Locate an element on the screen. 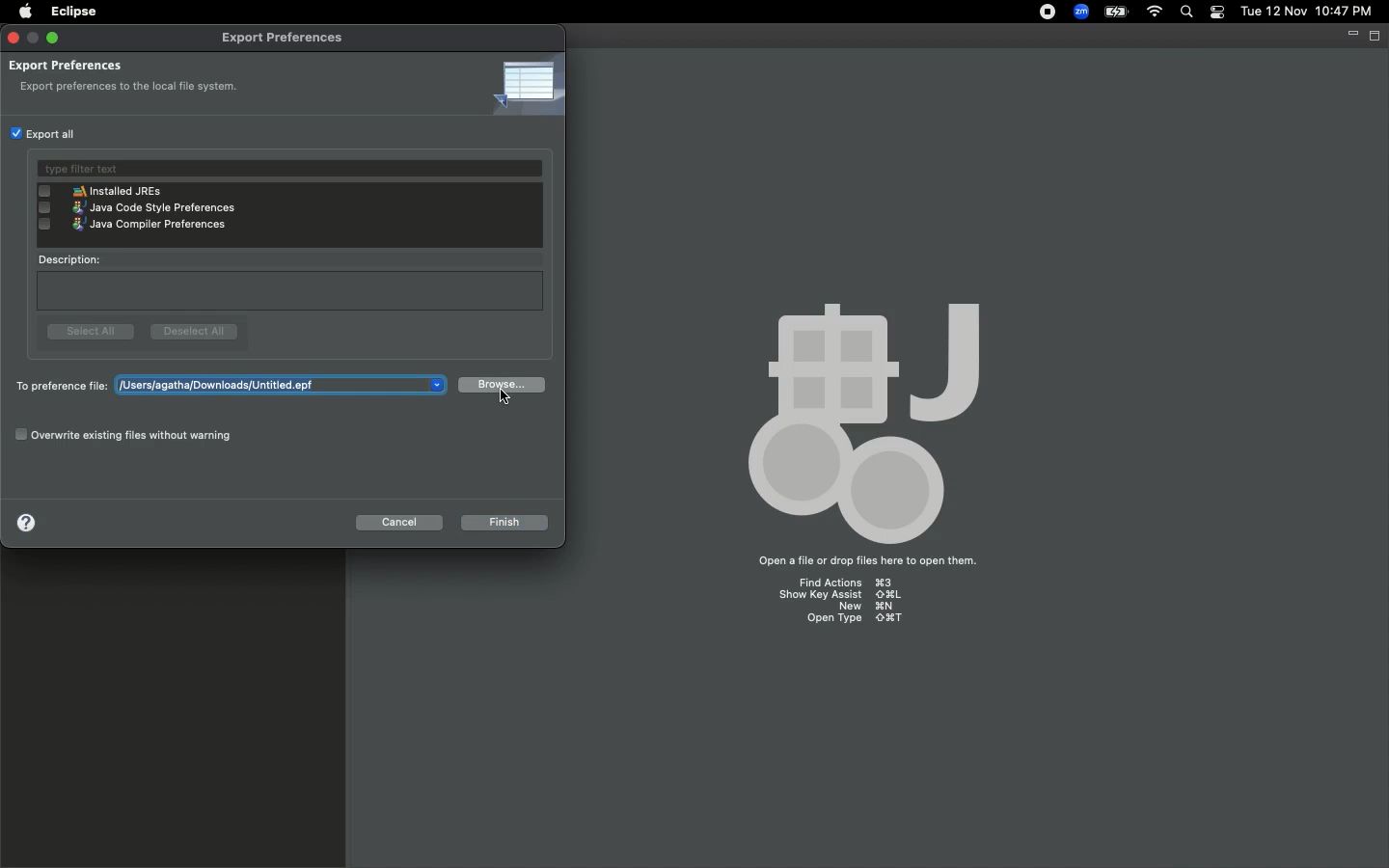 The width and height of the screenshot is (1389, 868). Deselect all is located at coordinates (195, 332).